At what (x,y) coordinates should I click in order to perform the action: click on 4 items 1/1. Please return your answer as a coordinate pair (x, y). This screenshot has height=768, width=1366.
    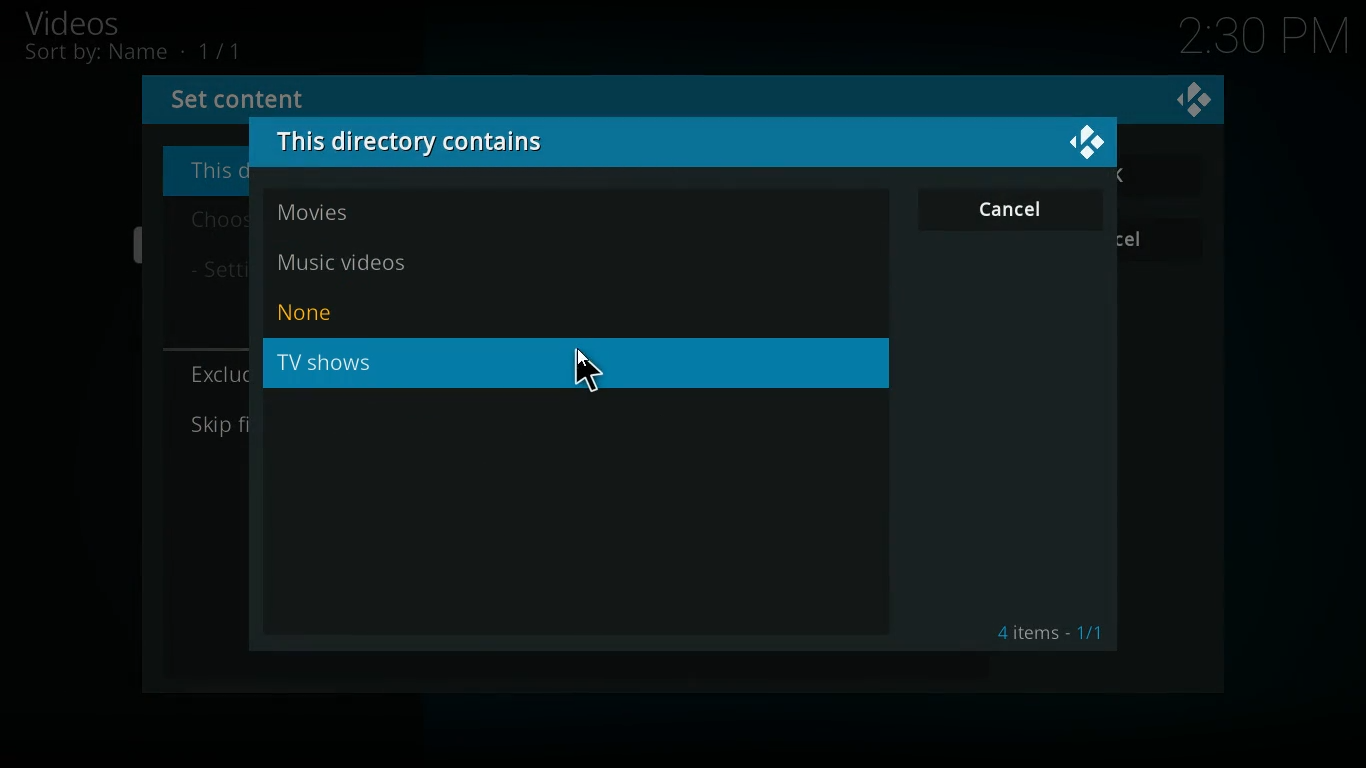
    Looking at the image, I should click on (1051, 633).